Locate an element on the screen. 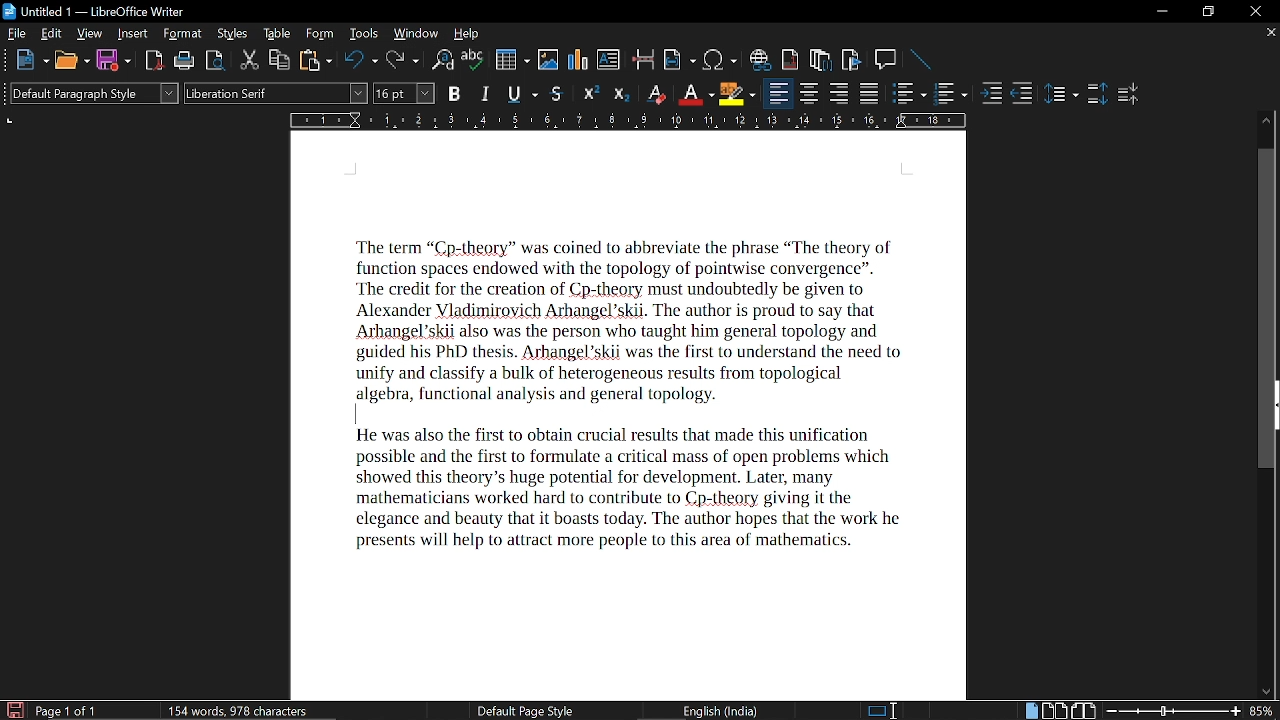  toggle unordered list is located at coordinates (951, 94).